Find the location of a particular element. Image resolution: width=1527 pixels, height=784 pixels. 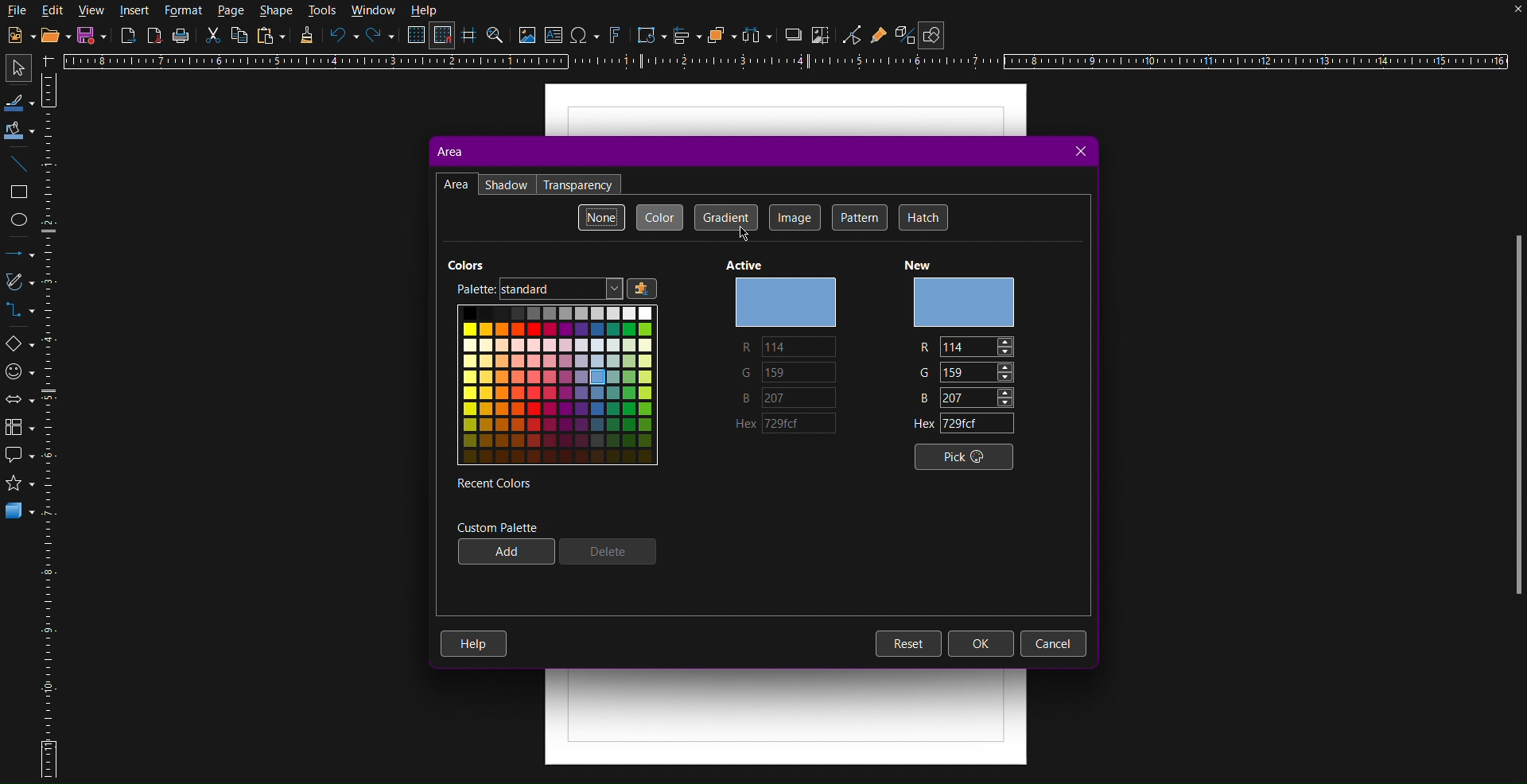

Symbol Shapes is located at coordinates (19, 371).